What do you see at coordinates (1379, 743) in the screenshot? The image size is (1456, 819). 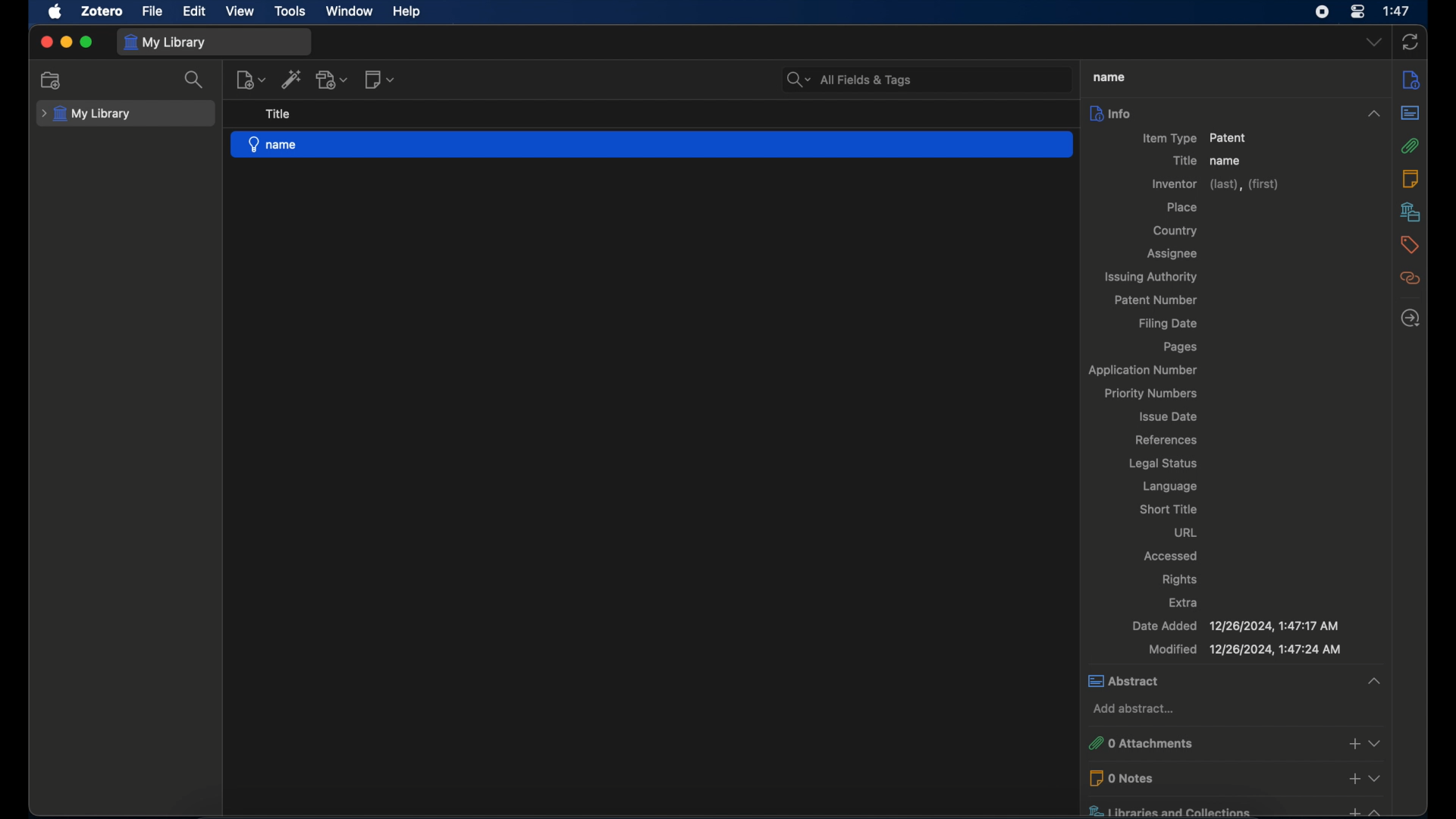 I see `Collapse or expand ` at bounding box center [1379, 743].